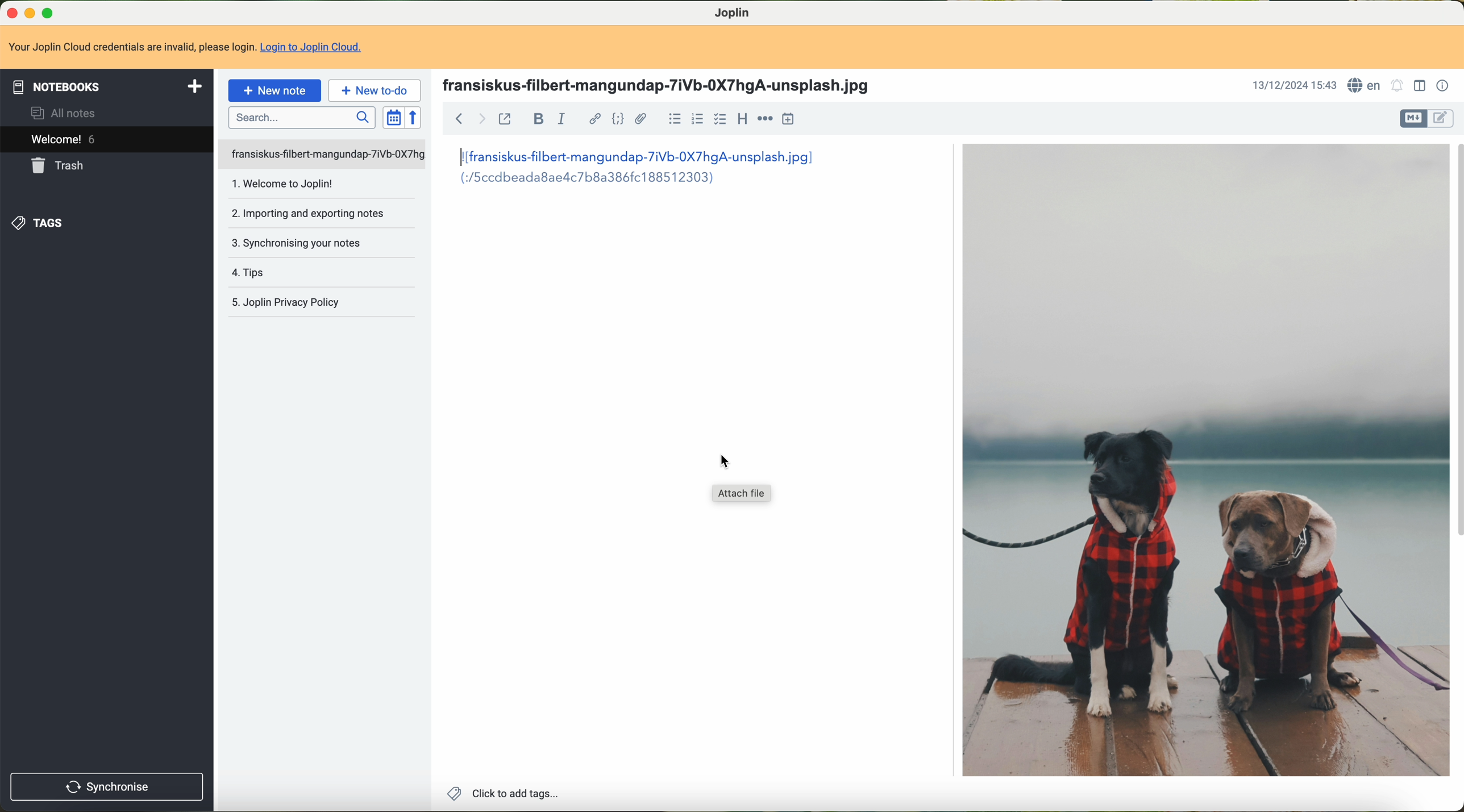  Describe the element at coordinates (106, 788) in the screenshot. I see `synchronise` at that location.